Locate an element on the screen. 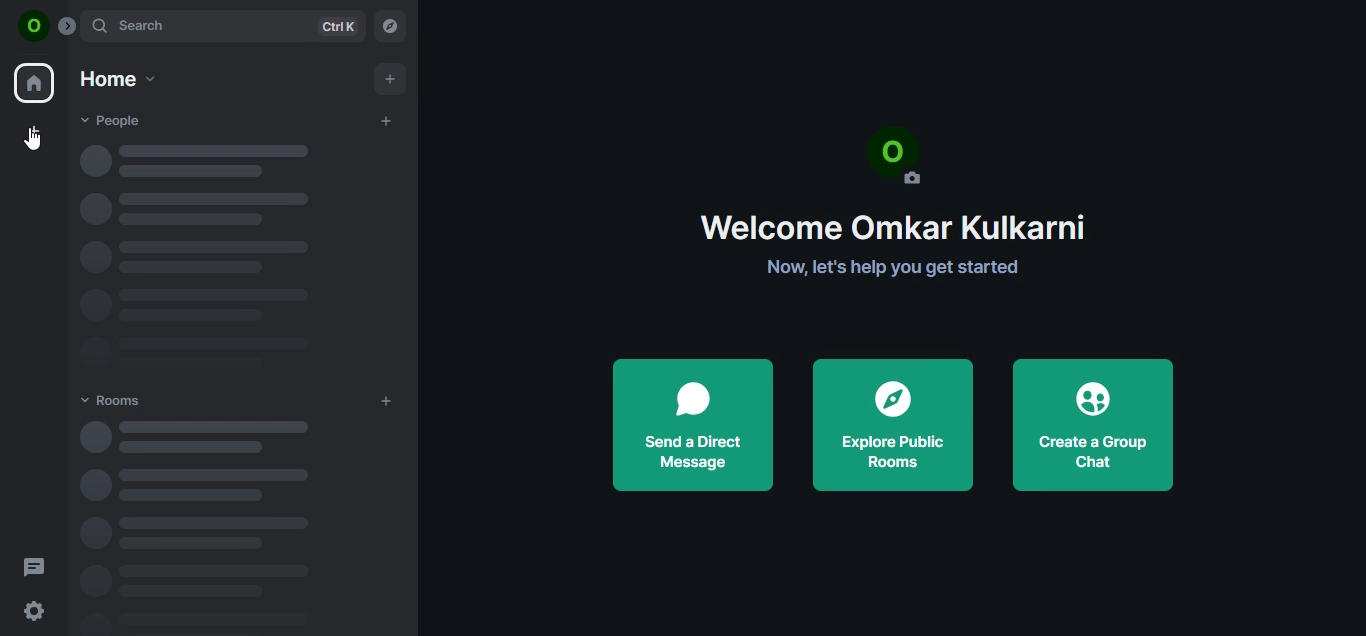 The height and width of the screenshot is (636, 1366). loading text is located at coordinates (187, 247).